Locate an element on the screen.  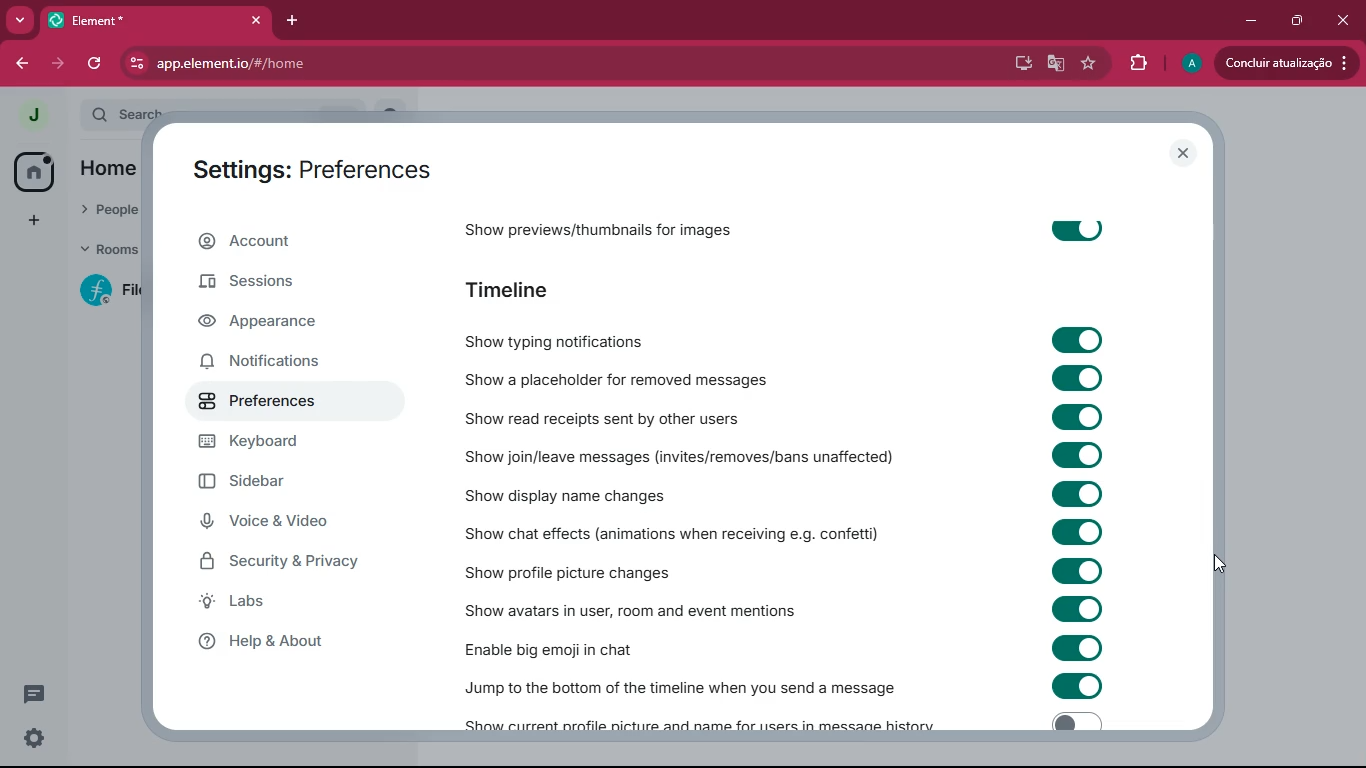
toggle on  is located at coordinates (1081, 455).